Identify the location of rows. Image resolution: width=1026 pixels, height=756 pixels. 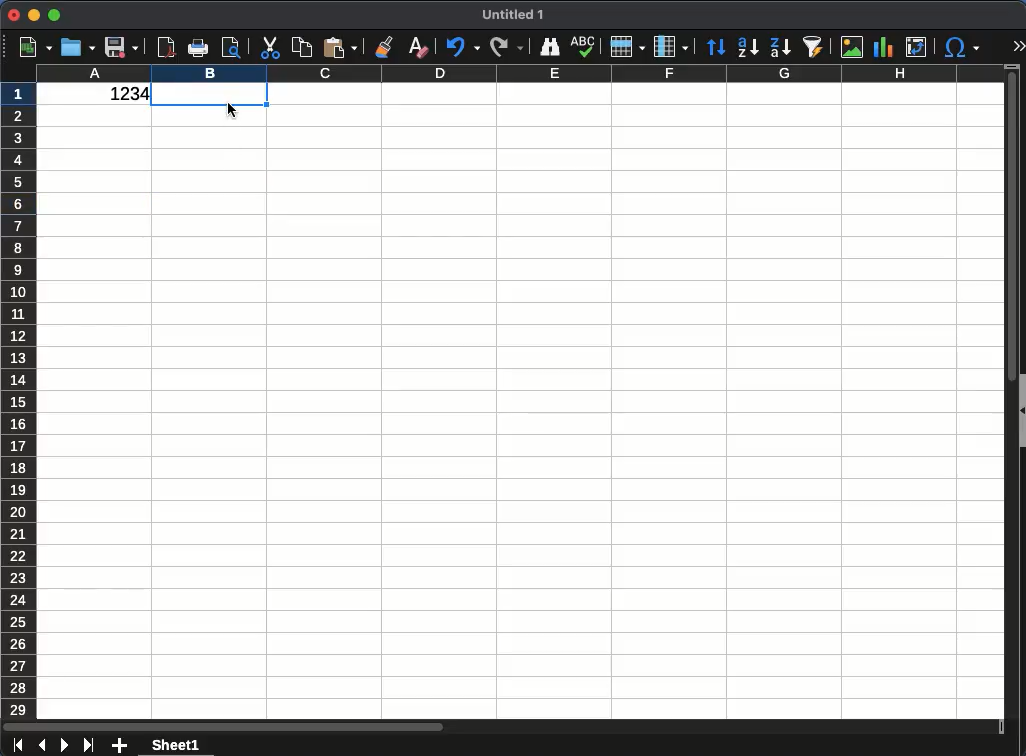
(21, 400).